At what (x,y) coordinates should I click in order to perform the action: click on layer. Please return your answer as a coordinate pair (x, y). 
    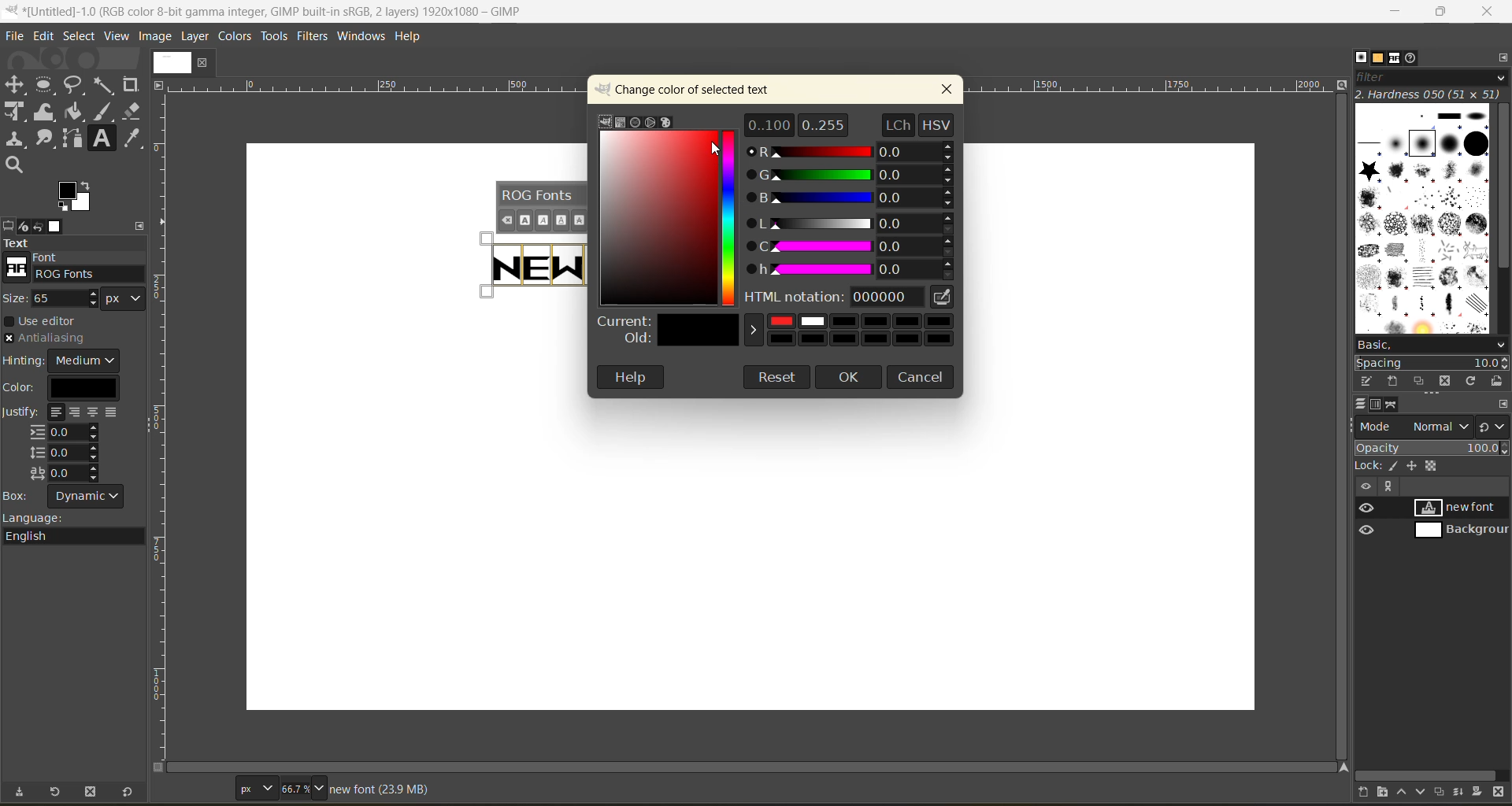
    Looking at the image, I should click on (197, 38).